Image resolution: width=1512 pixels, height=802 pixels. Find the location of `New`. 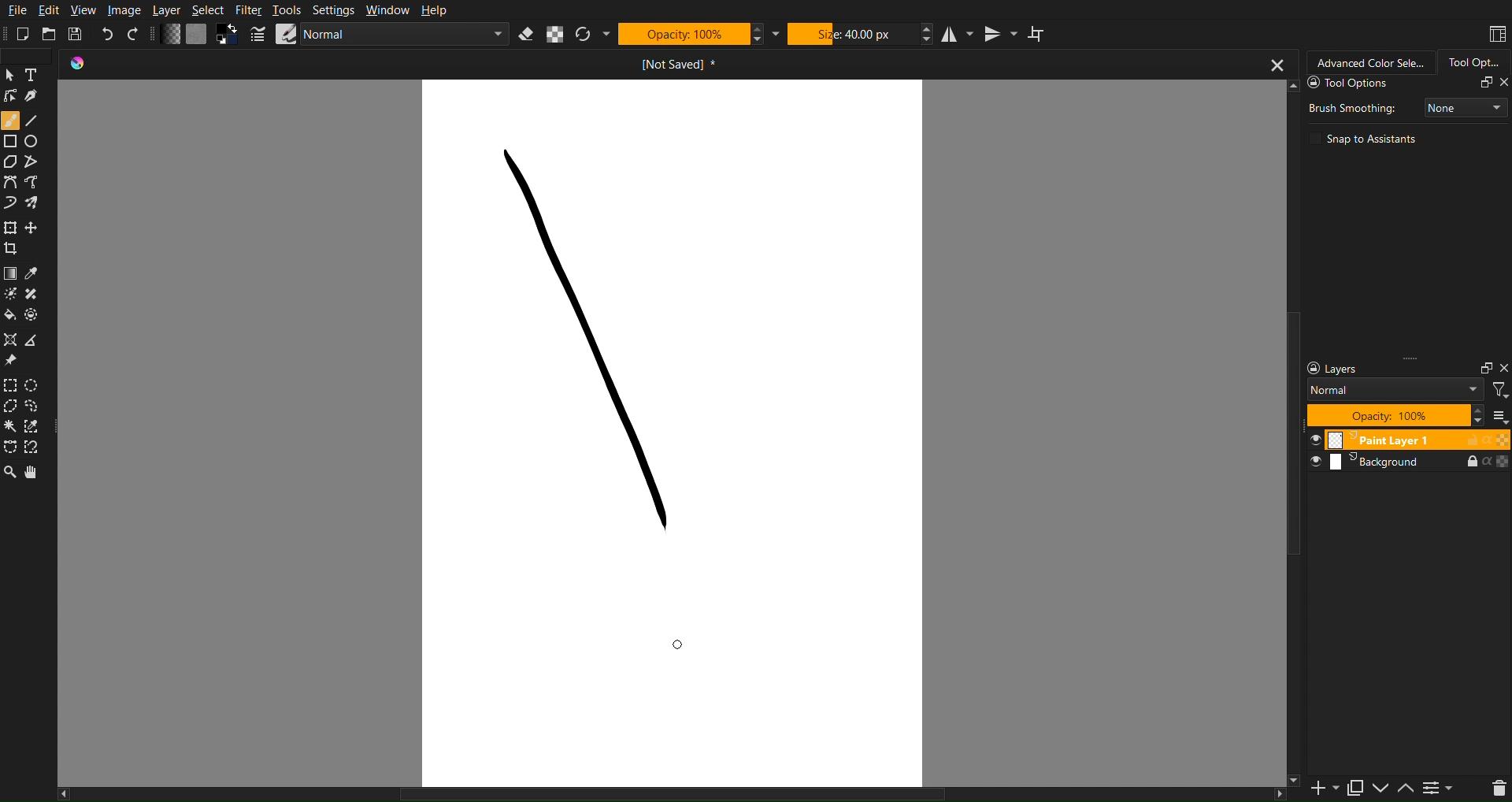

New is located at coordinates (23, 34).